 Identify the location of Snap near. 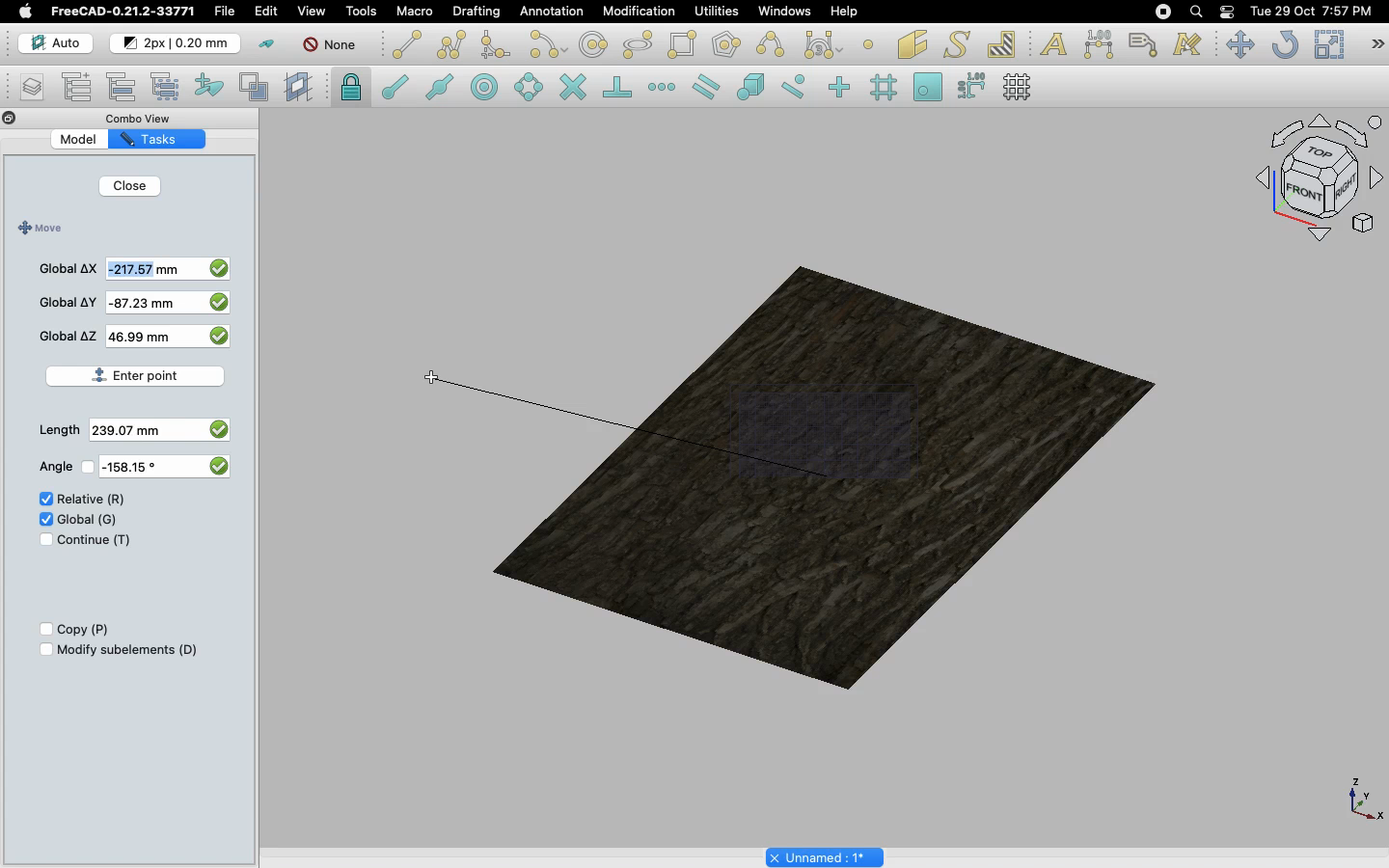
(799, 87).